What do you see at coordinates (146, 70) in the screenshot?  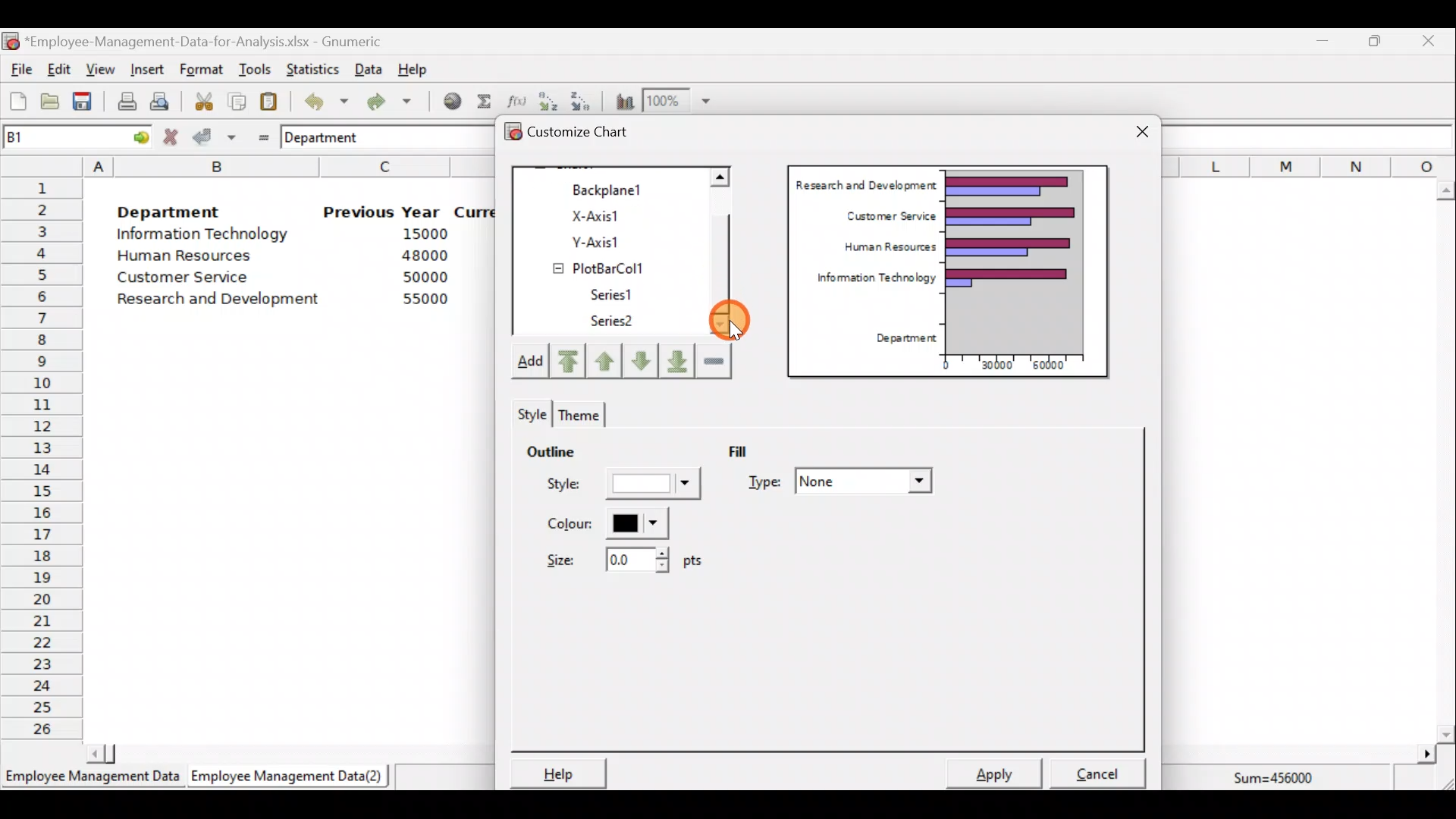 I see `Insert` at bounding box center [146, 70].